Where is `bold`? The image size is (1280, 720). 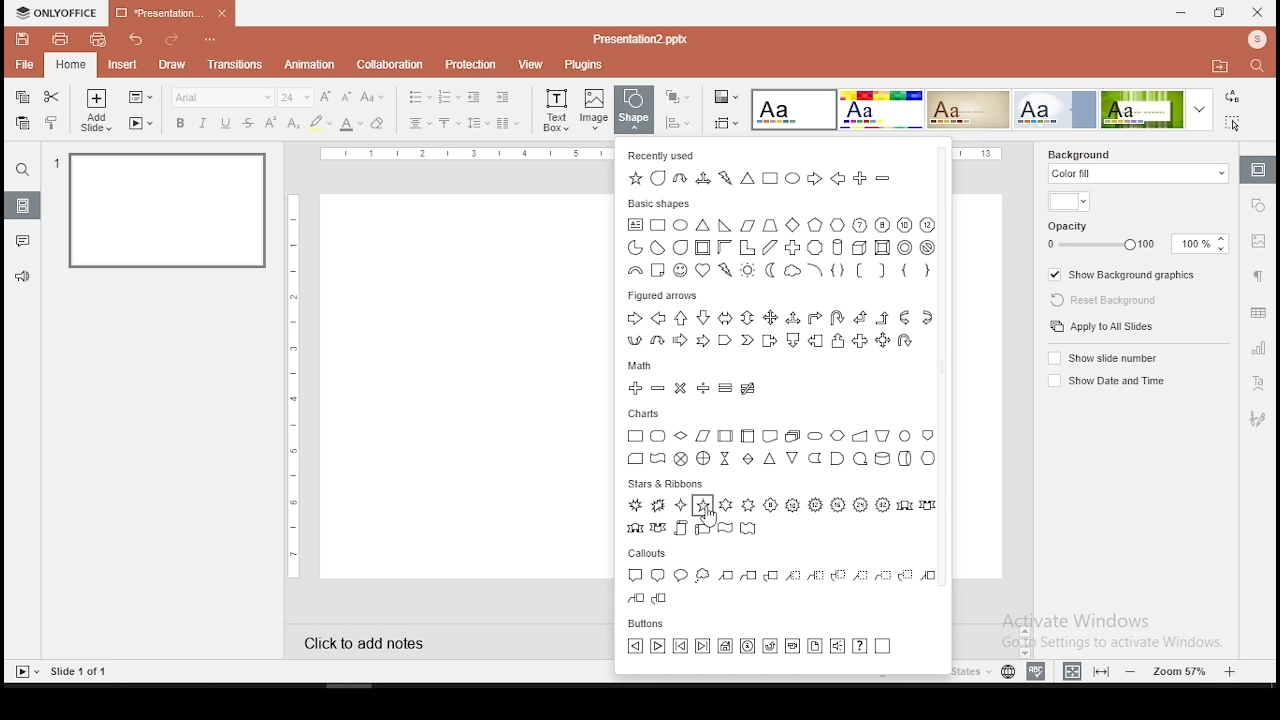
bold is located at coordinates (180, 123).